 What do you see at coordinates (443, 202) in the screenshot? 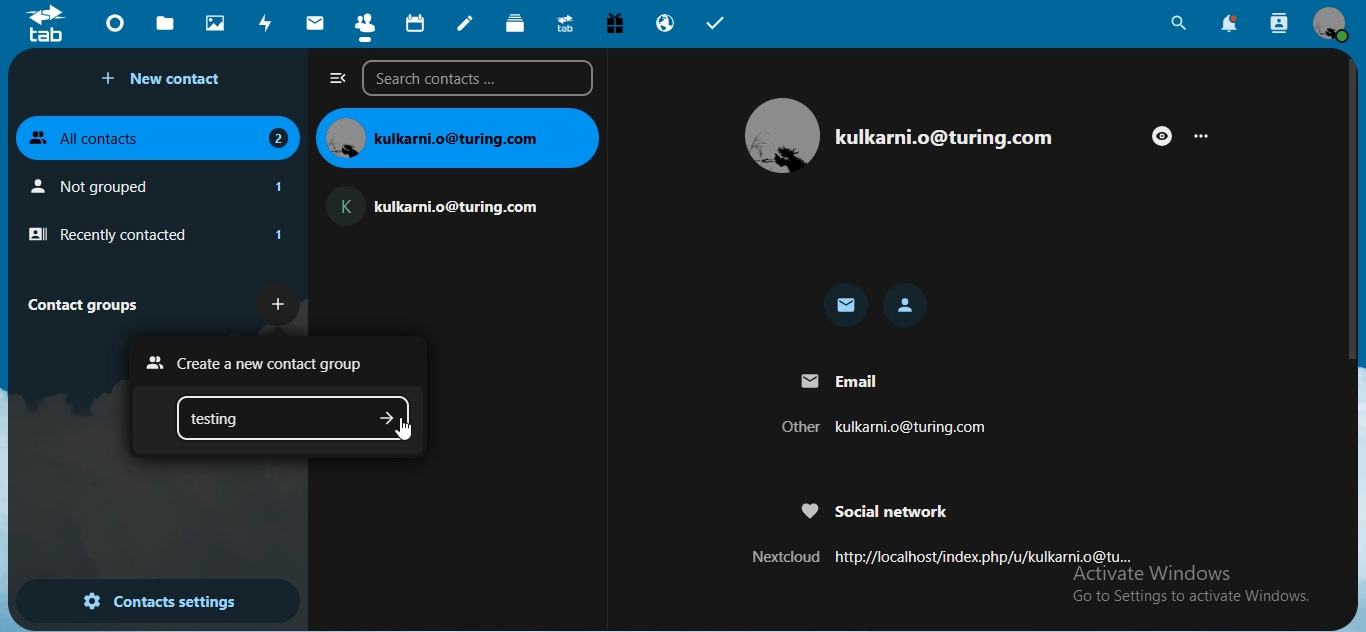
I see `kulkarni.o@turing.com` at bounding box center [443, 202].